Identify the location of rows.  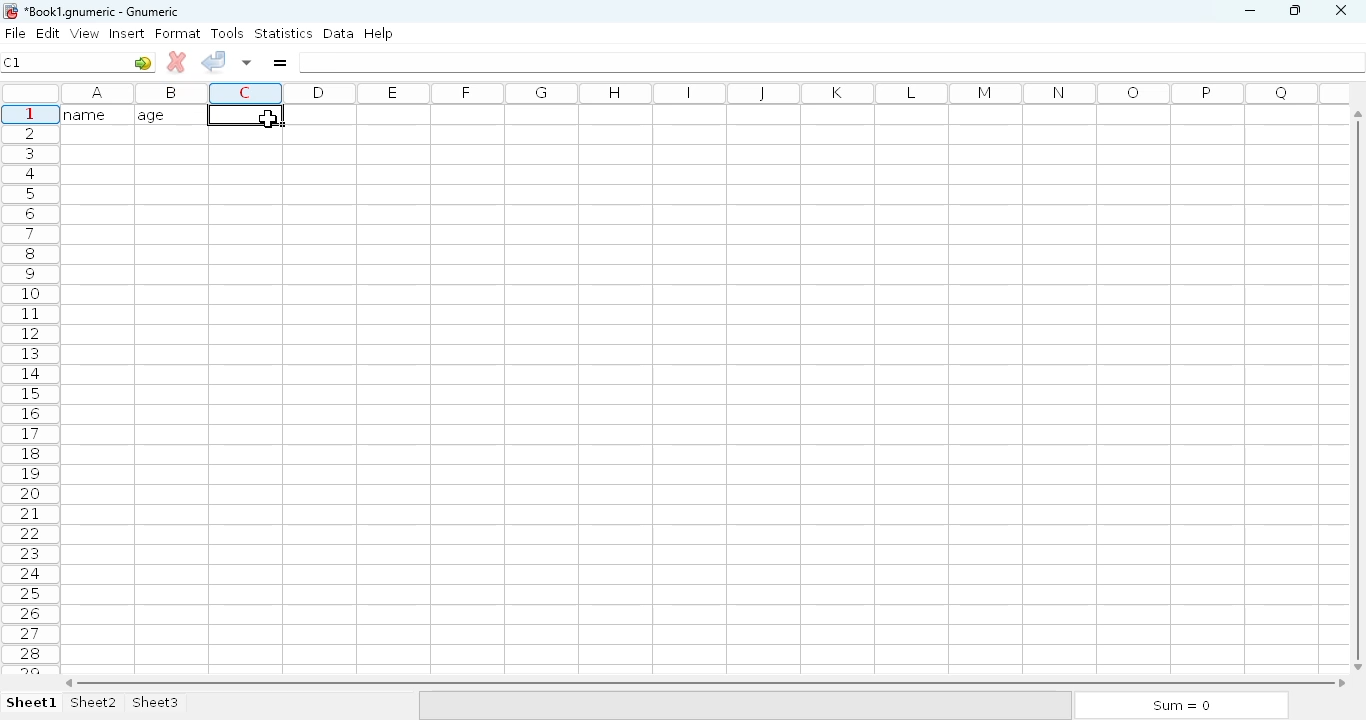
(30, 389).